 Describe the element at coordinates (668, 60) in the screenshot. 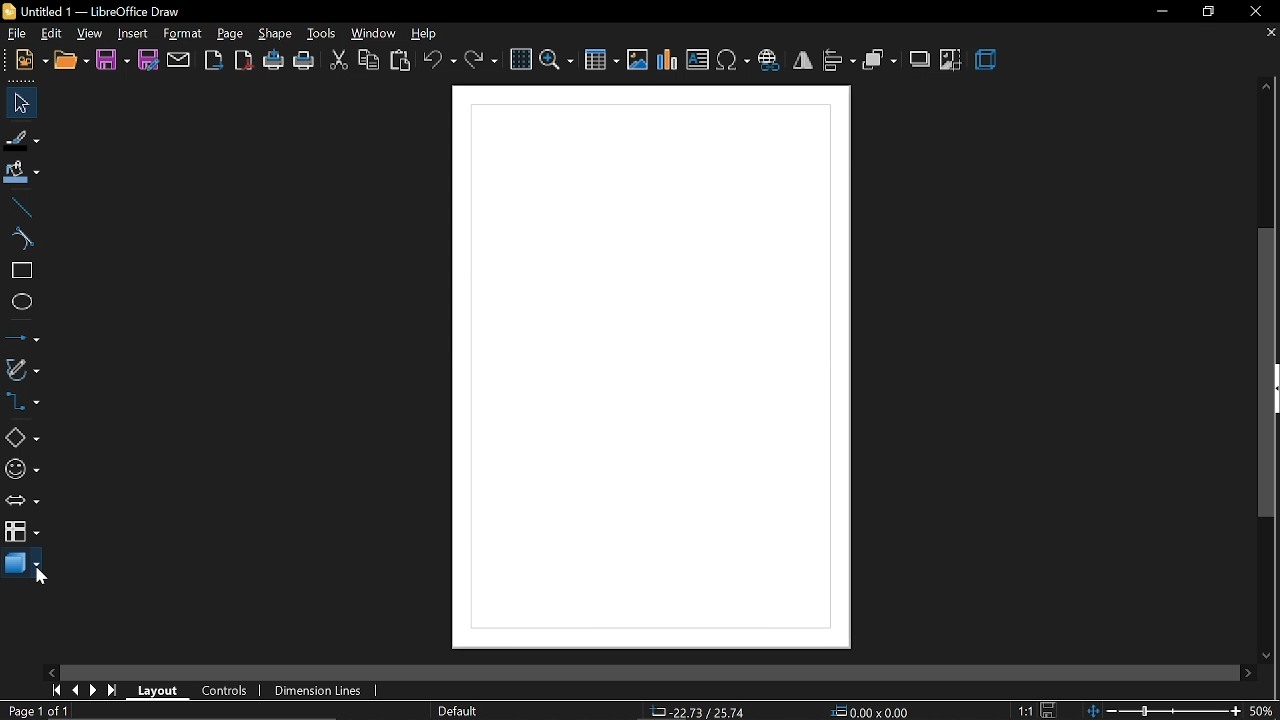

I see `insert chart` at that location.